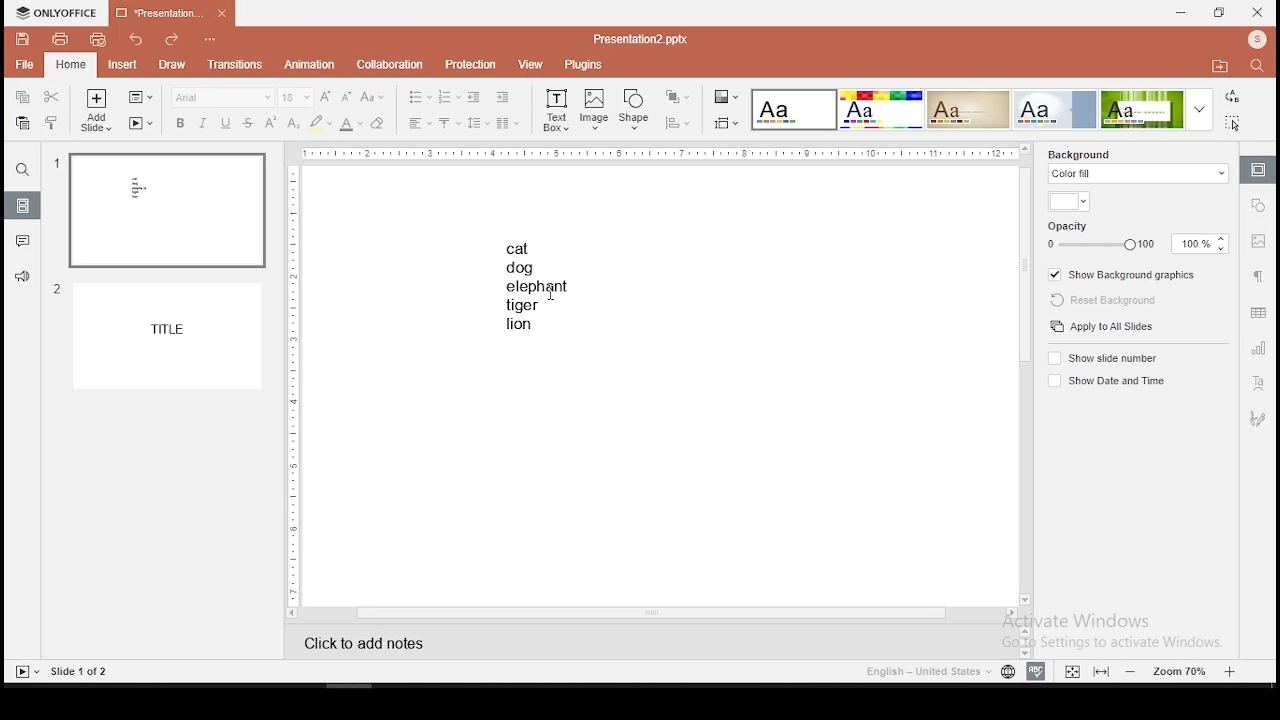  What do you see at coordinates (266, 122) in the screenshot?
I see `superscript` at bounding box center [266, 122].